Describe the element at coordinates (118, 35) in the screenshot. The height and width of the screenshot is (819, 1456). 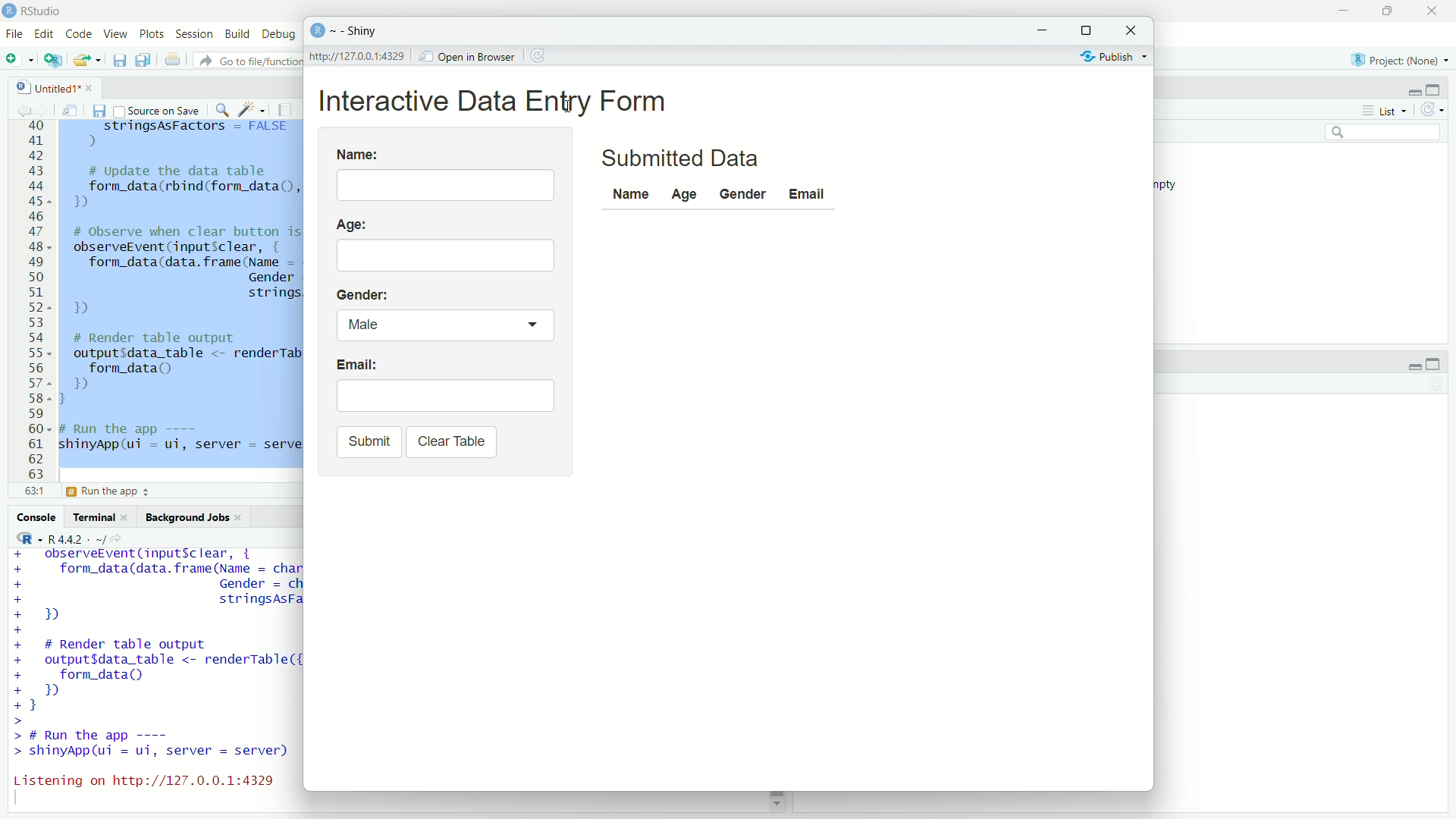
I see `View` at that location.